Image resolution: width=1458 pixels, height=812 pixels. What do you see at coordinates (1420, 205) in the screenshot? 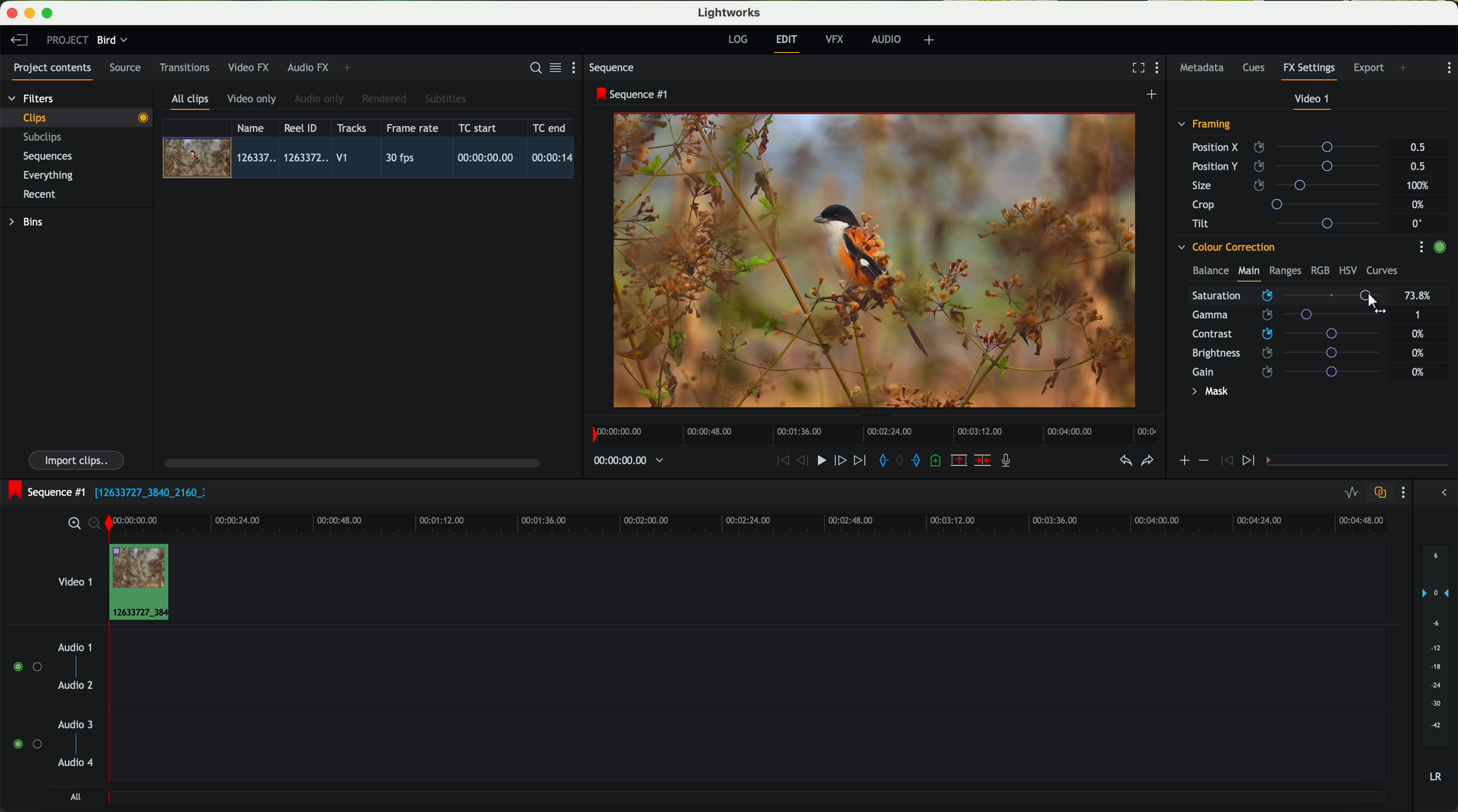
I see `0%` at bounding box center [1420, 205].